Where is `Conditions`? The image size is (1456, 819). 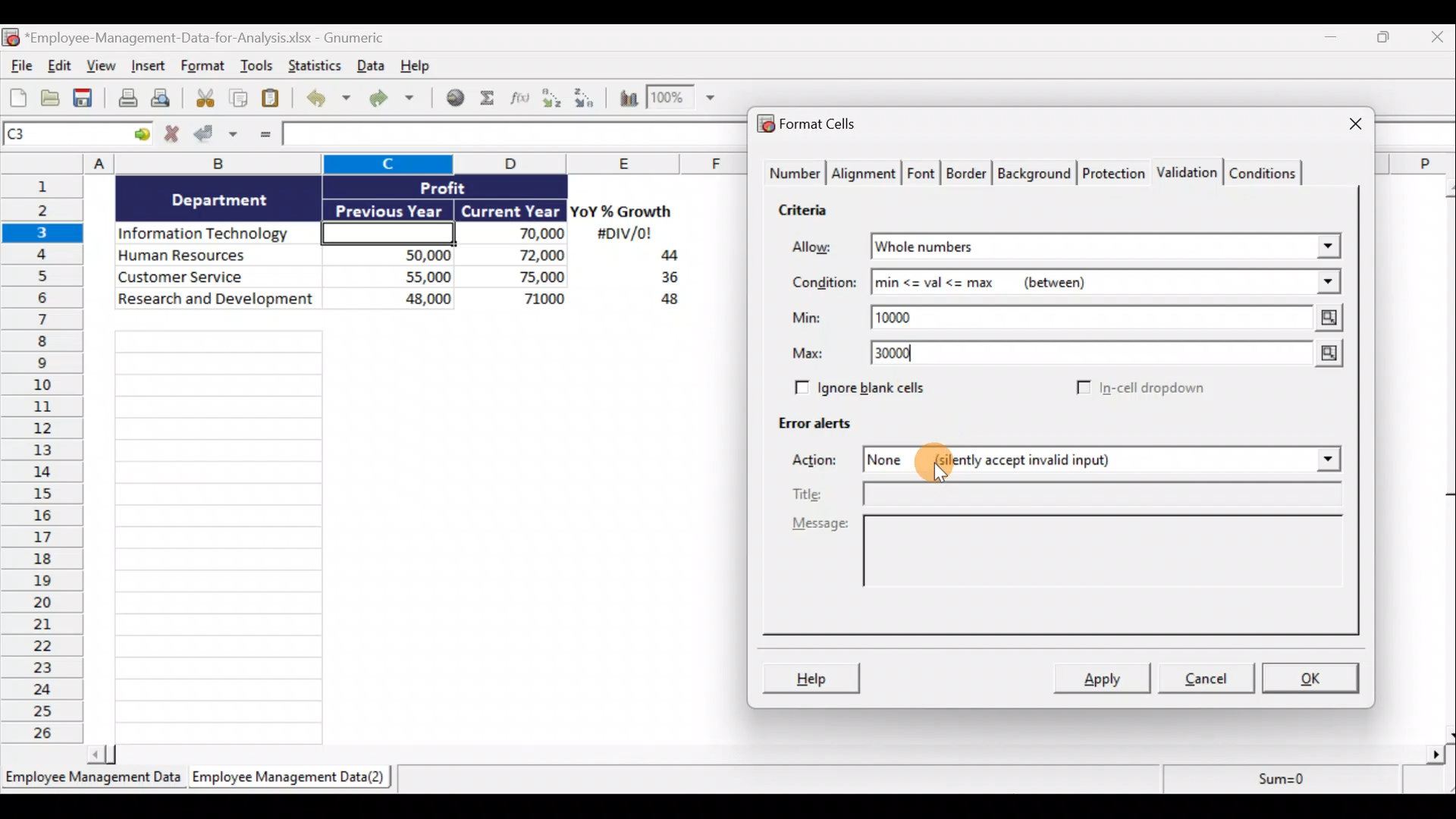 Conditions is located at coordinates (1268, 172).